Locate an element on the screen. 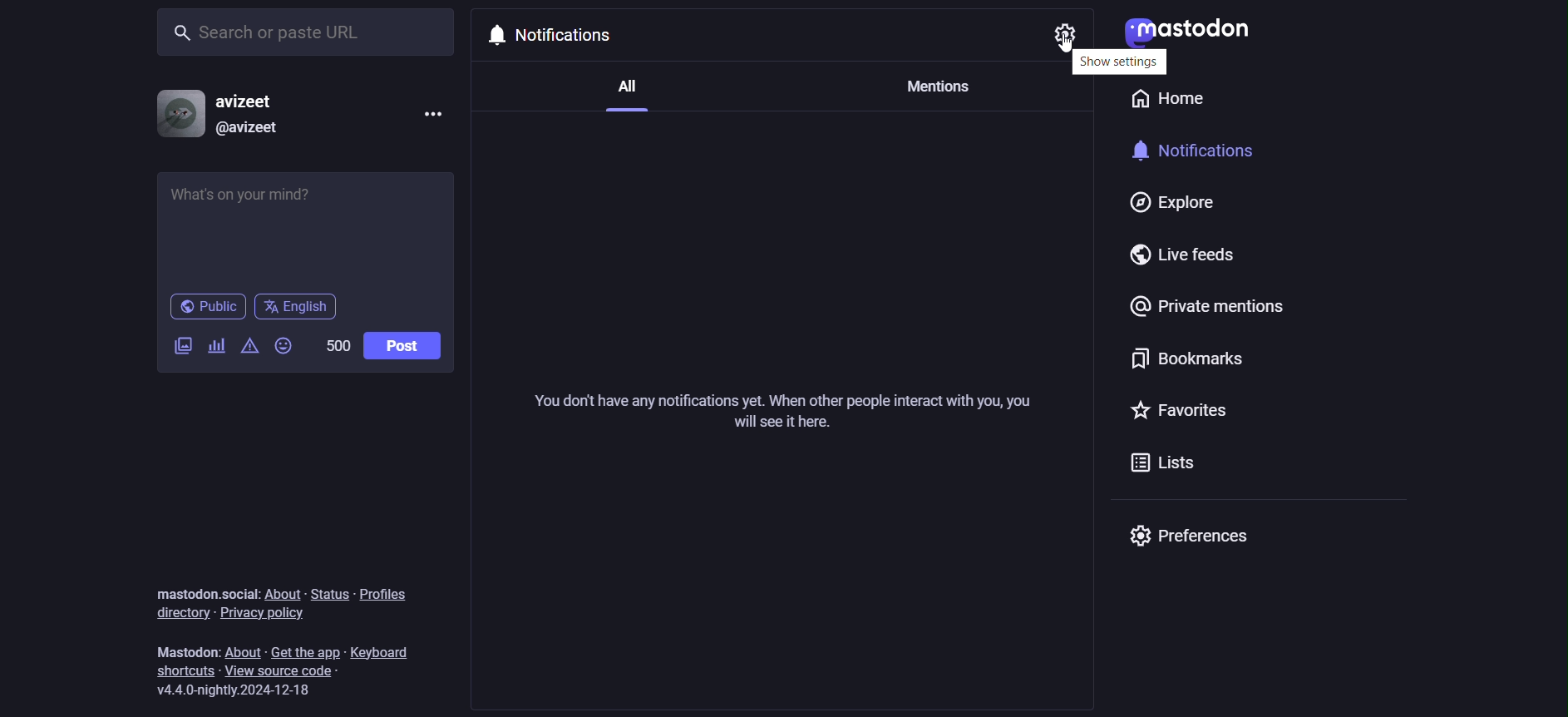 The width and height of the screenshot is (1568, 717). mastodon is located at coordinates (190, 650).